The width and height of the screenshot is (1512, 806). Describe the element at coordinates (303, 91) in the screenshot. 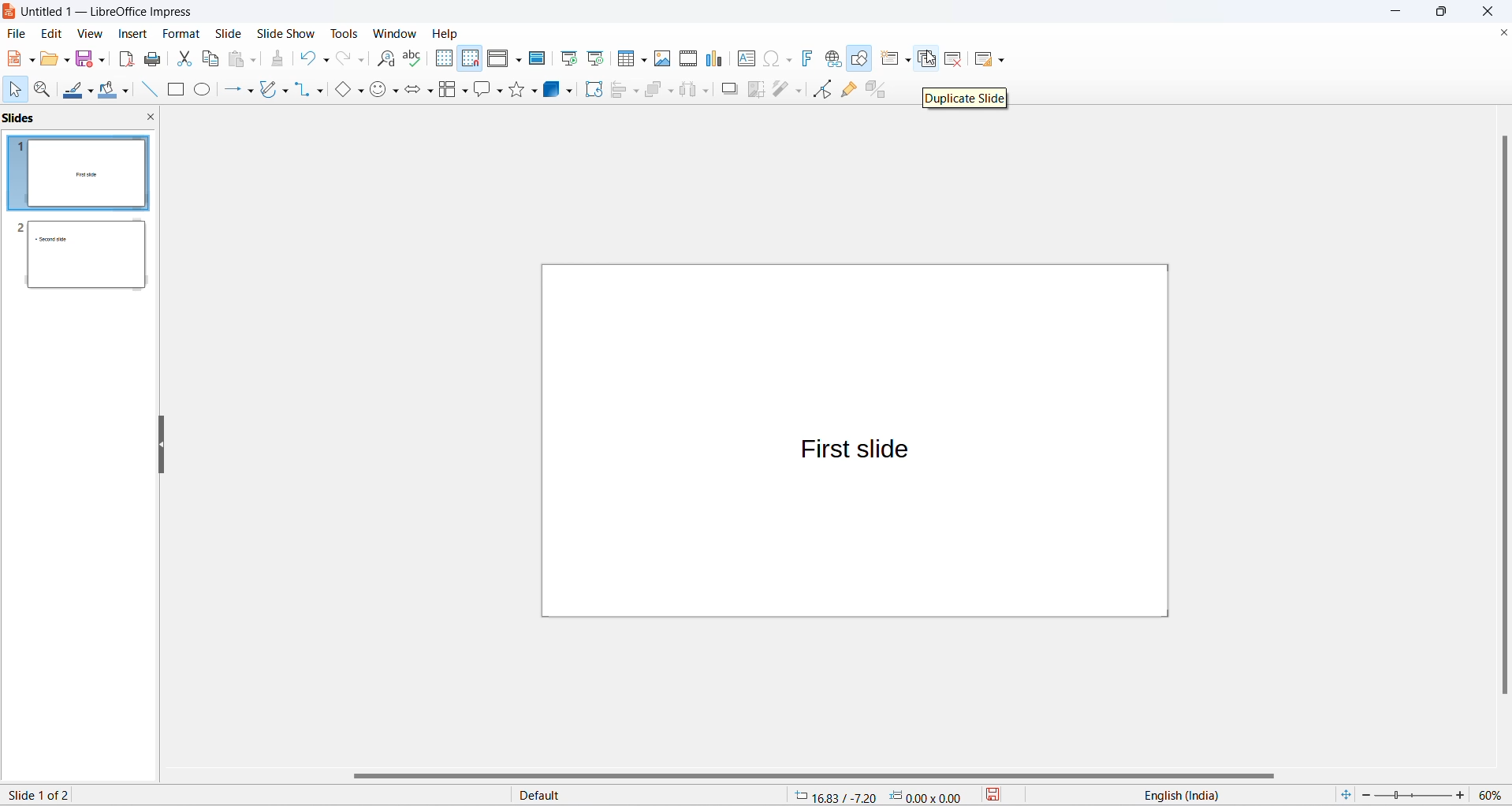

I see `connectors` at that location.